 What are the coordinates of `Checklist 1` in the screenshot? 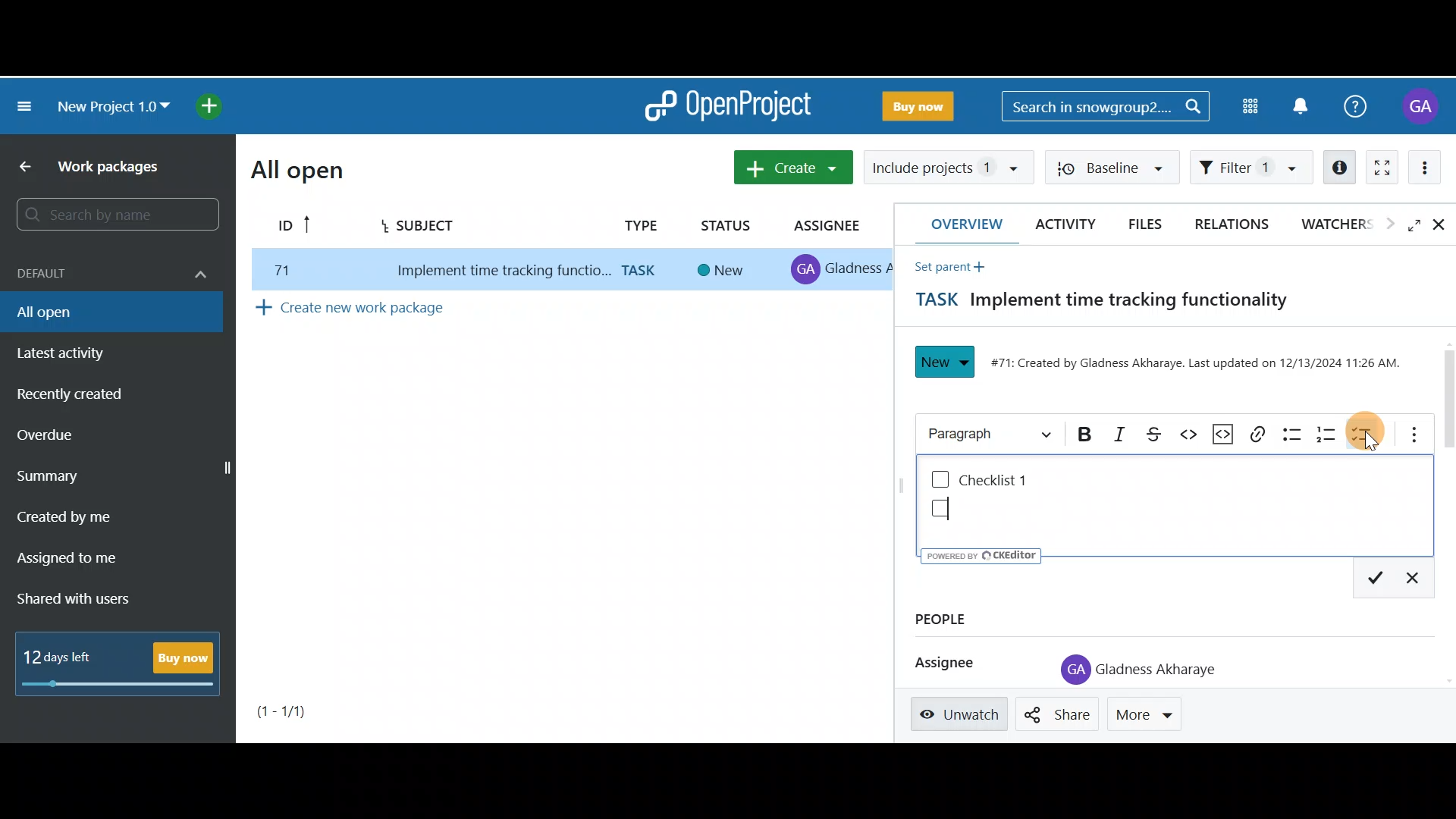 It's located at (1003, 480).